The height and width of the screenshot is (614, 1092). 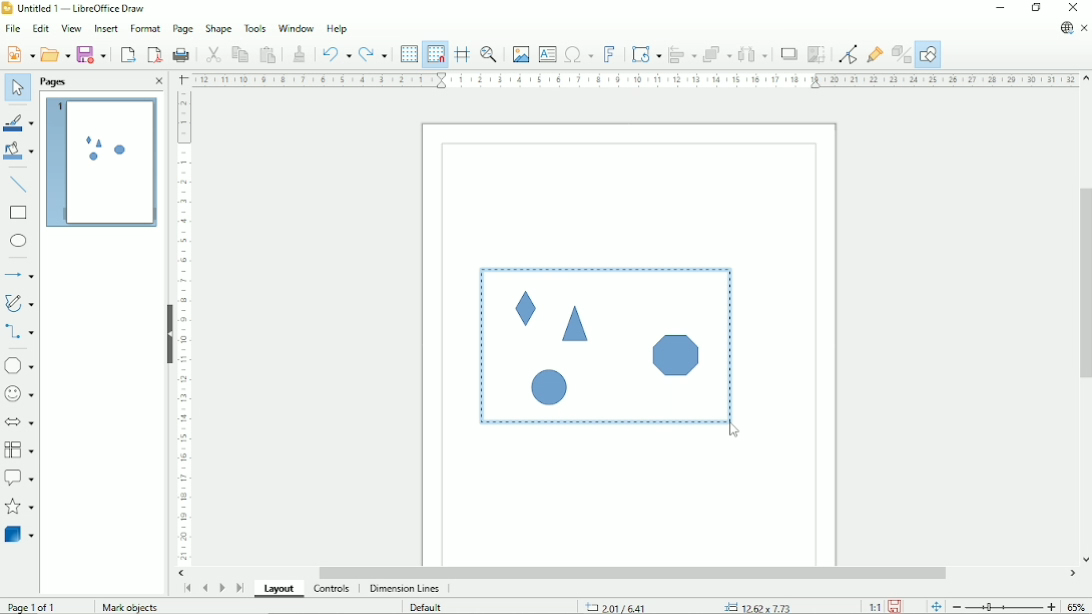 What do you see at coordinates (336, 55) in the screenshot?
I see `Undo` at bounding box center [336, 55].